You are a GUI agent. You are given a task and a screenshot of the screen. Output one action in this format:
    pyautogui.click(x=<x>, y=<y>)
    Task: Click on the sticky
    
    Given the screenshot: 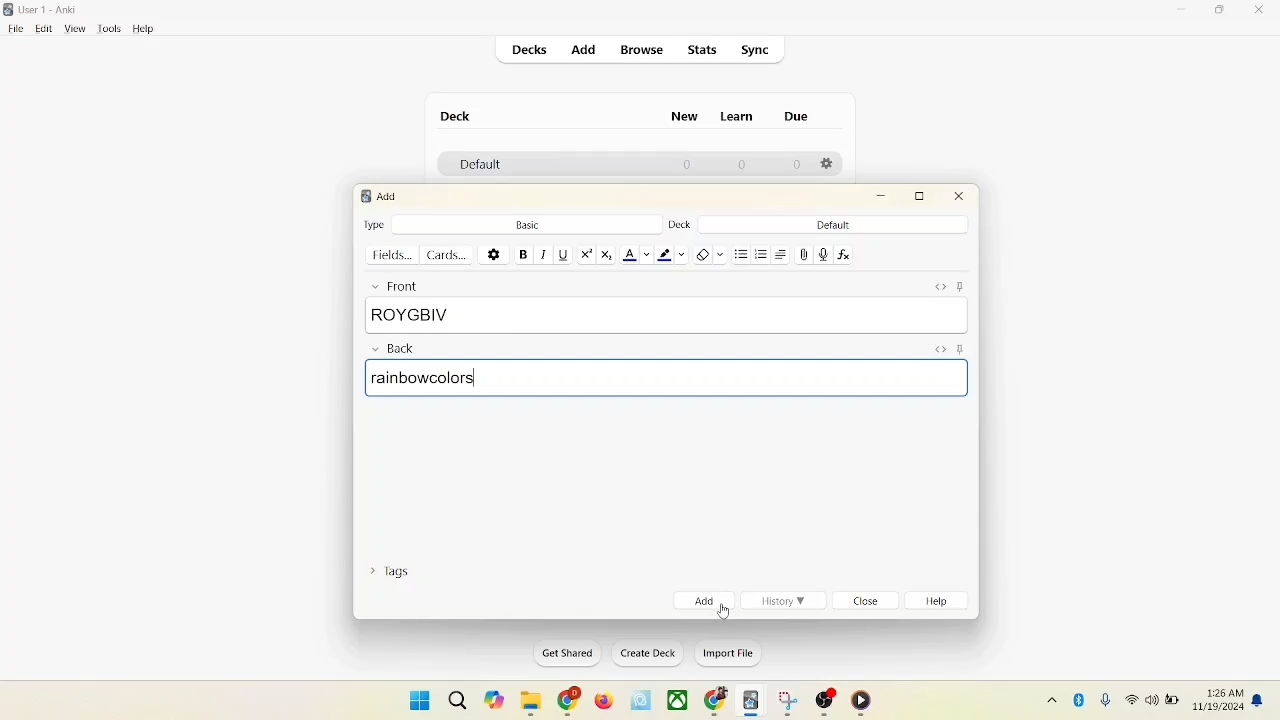 What is the action you would take?
    pyautogui.click(x=964, y=286)
    